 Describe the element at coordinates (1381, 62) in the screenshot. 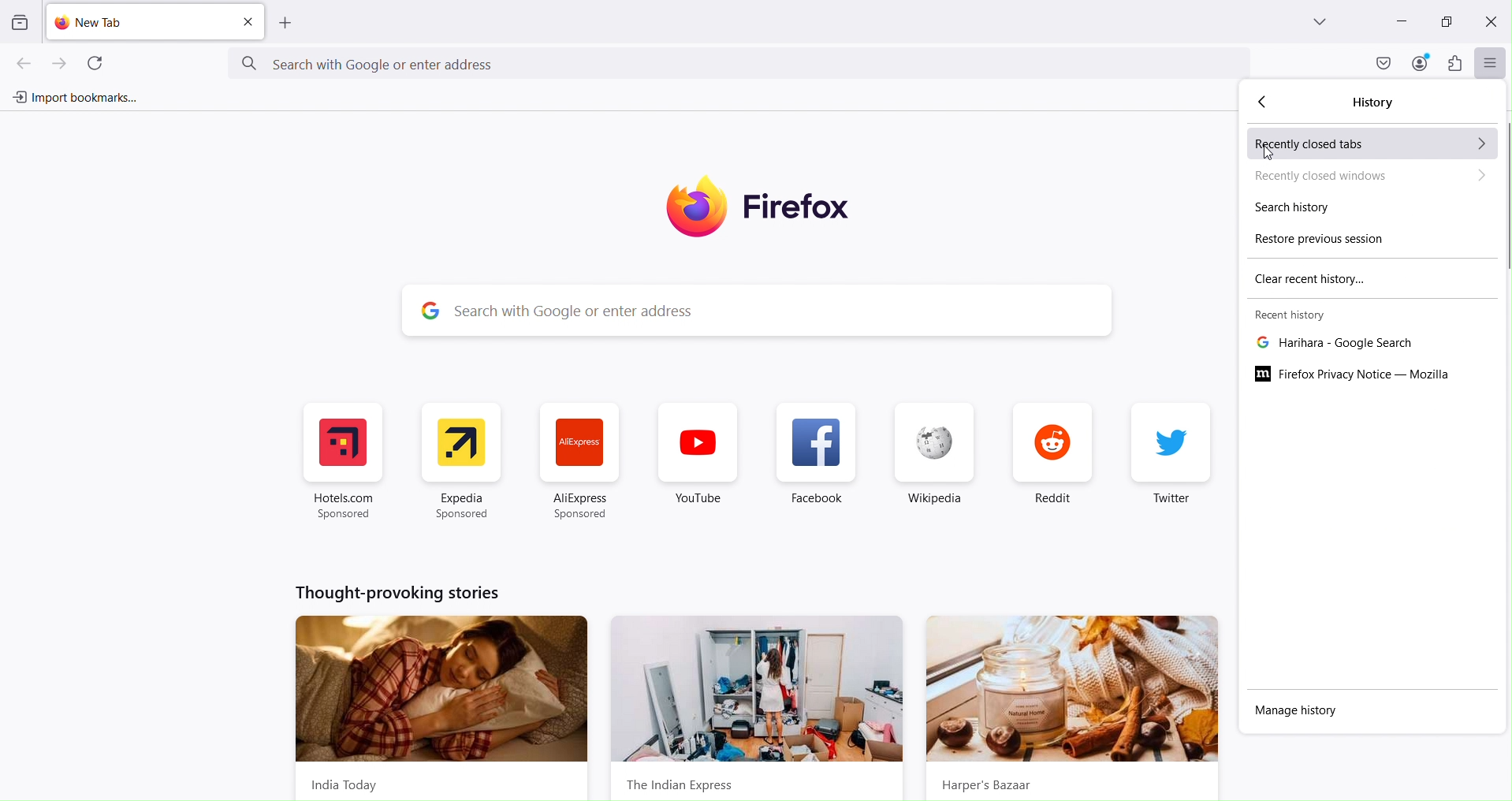

I see `Save to pocket` at that location.